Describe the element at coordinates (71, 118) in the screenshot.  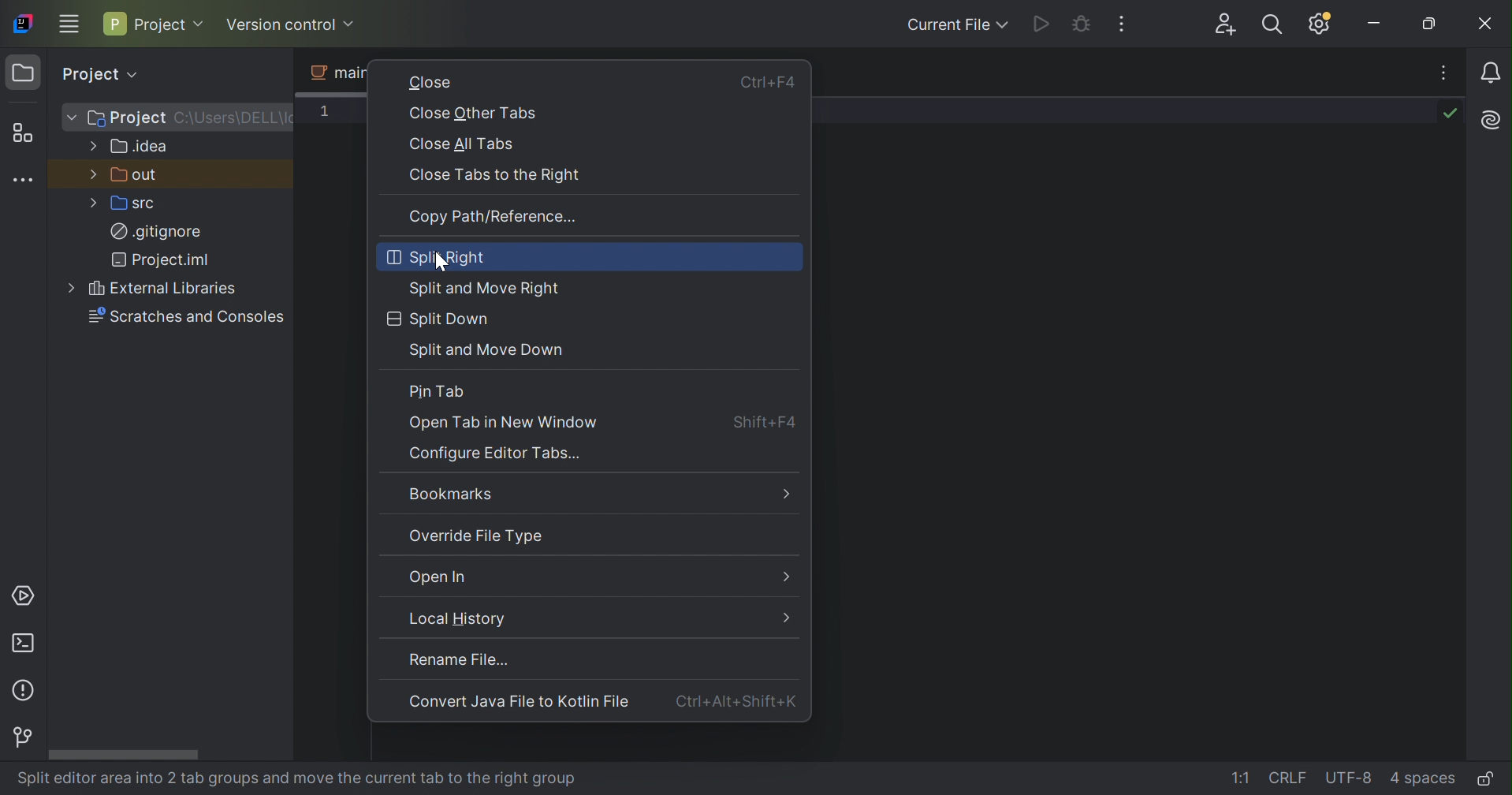
I see `More` at that location.